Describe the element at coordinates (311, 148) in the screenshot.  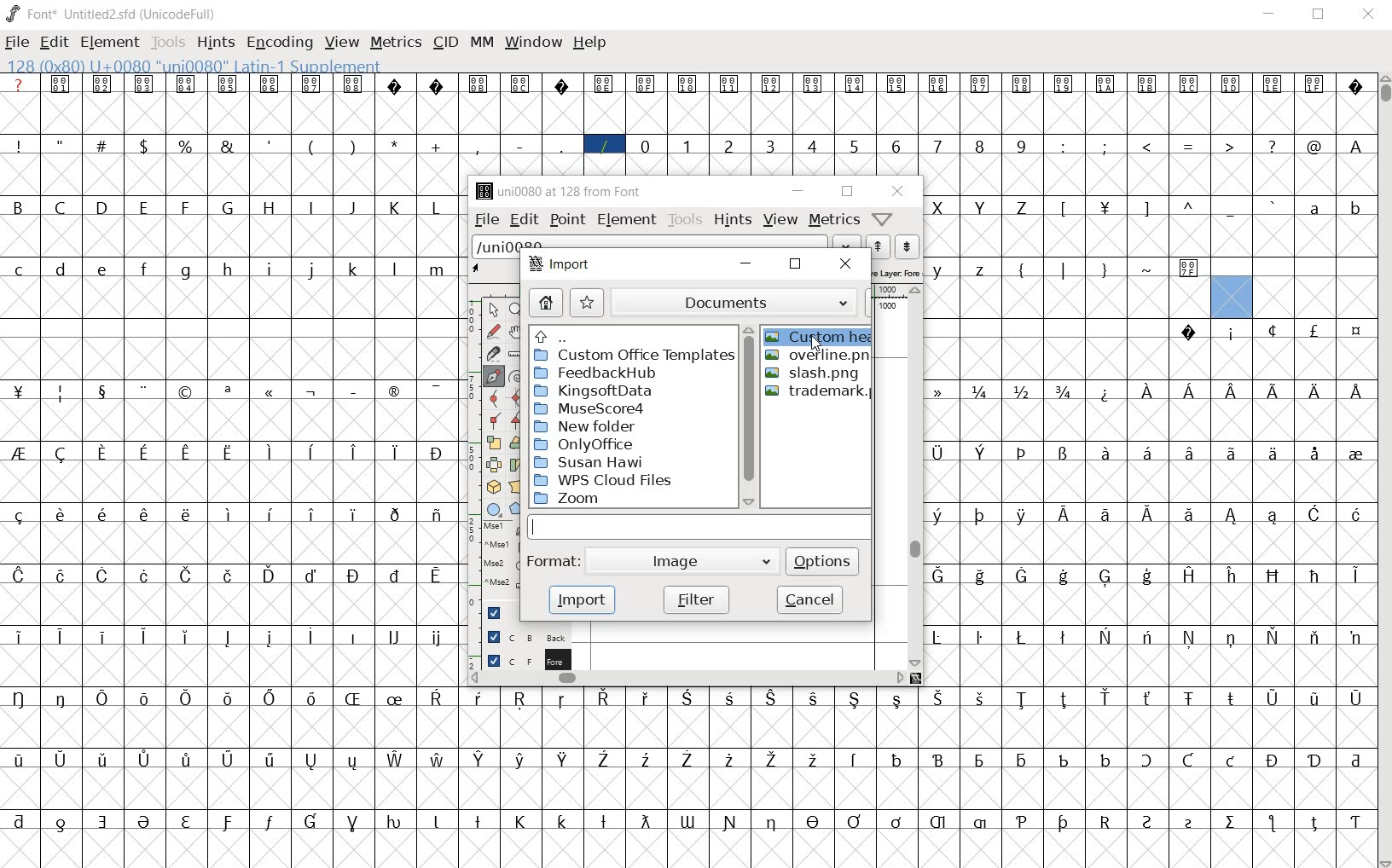
I see `glyph` at that location.